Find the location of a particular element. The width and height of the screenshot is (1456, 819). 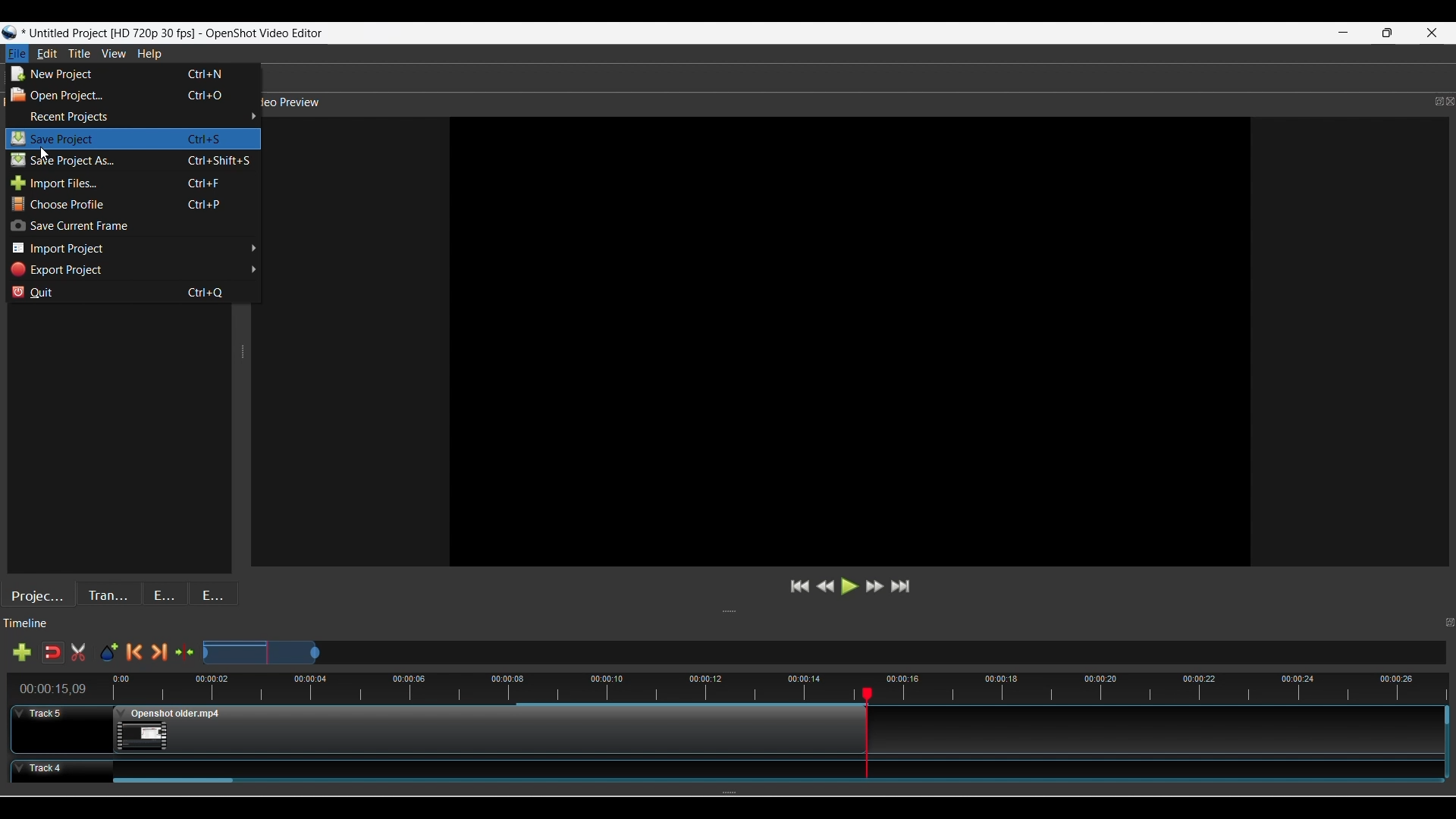

Help is located at coordinates (149, 55).